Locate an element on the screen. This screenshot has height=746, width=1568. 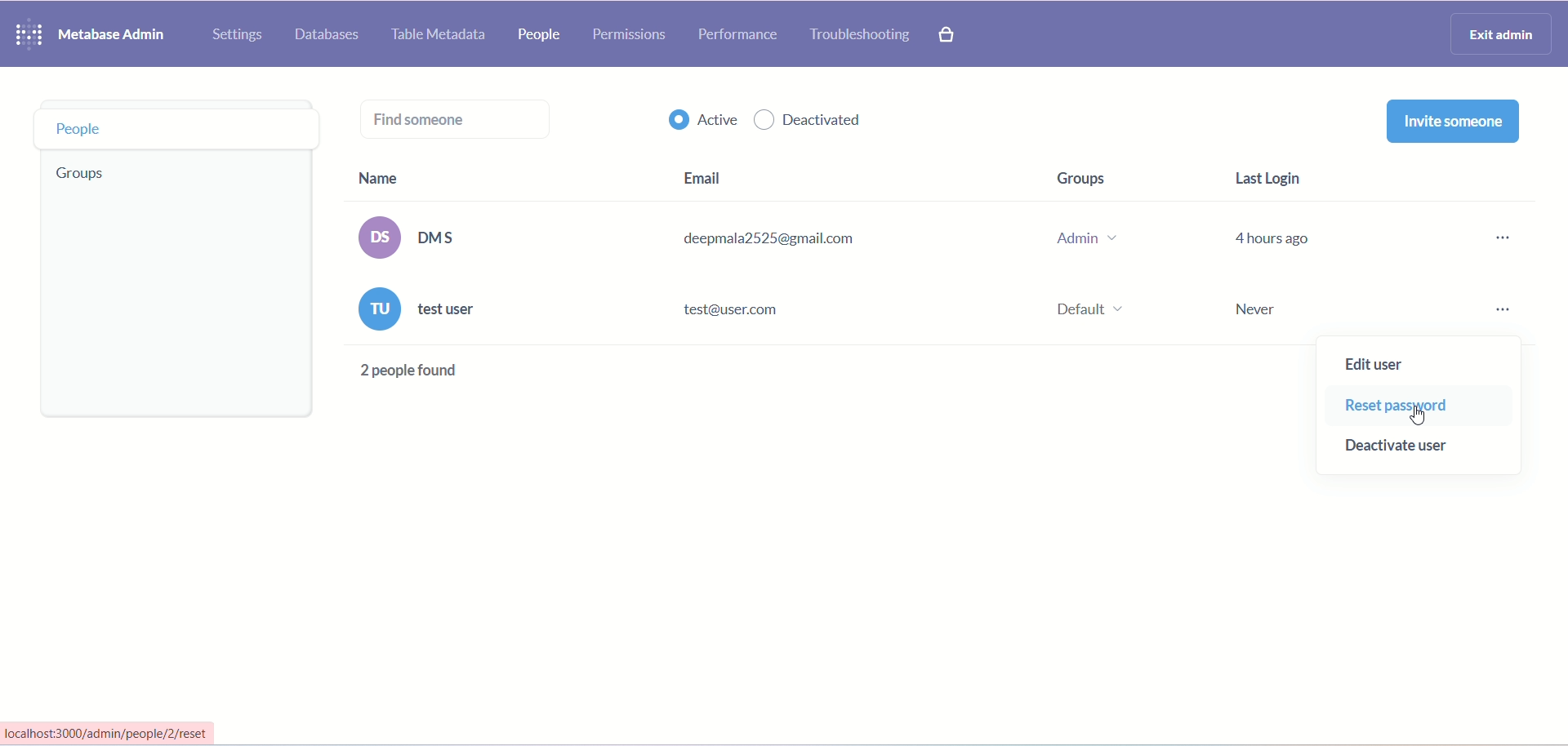
edit user is located at coordinates (1389, 366).